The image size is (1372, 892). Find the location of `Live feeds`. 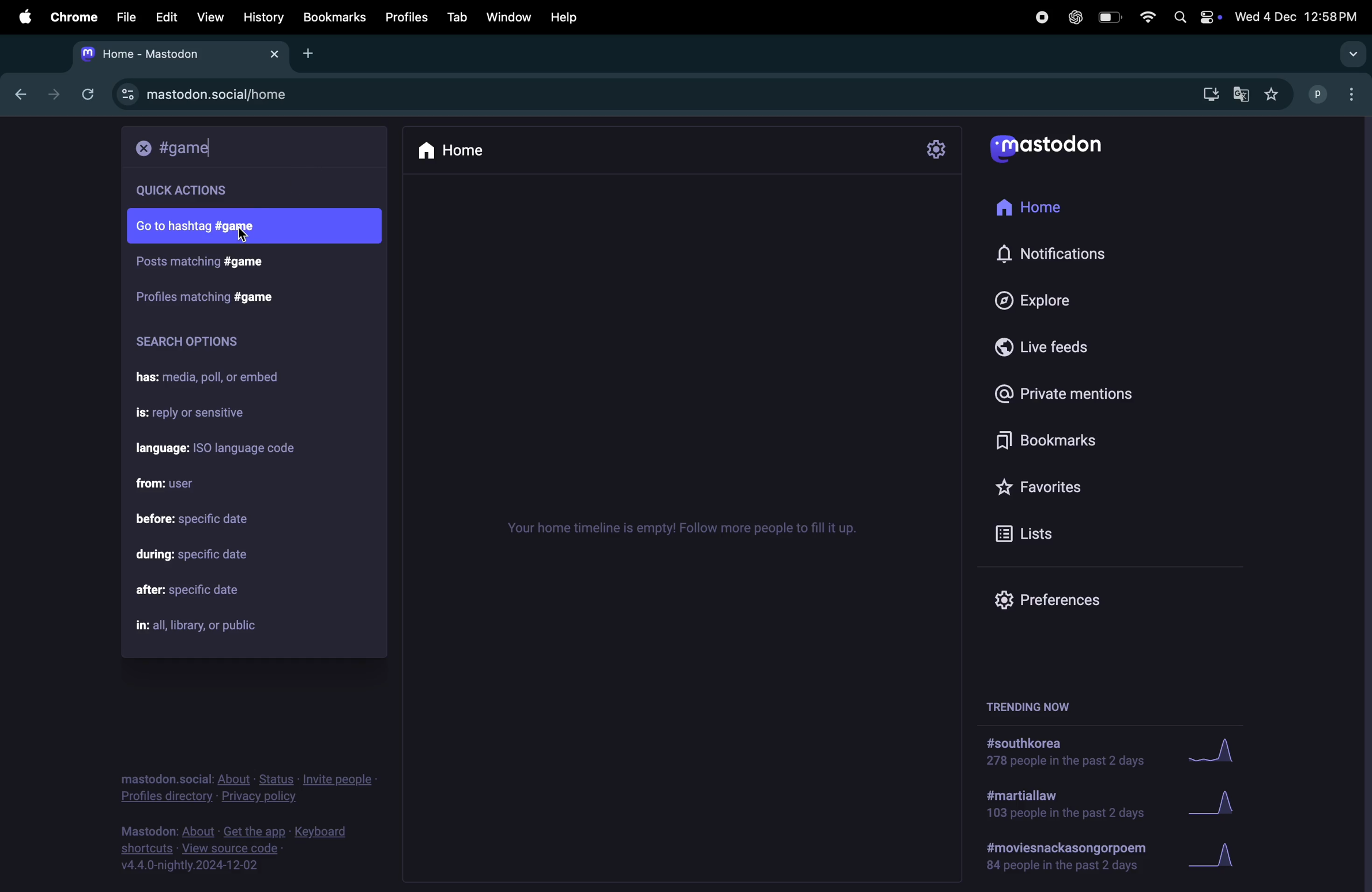

Live feeds is located at coordinates (1066, 351).